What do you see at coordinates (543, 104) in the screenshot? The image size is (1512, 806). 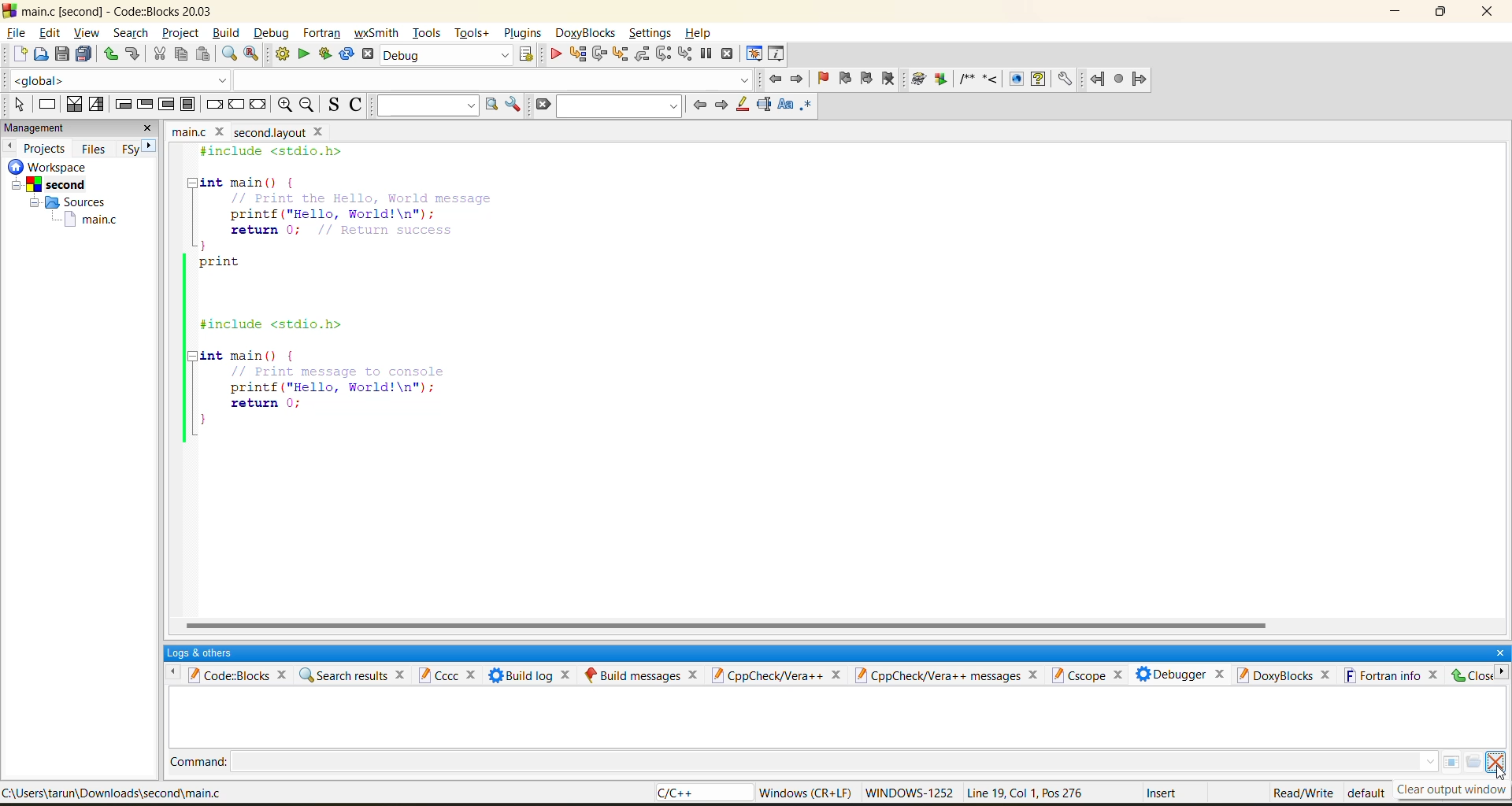 I see `clear` at bounding box center [543, 104].